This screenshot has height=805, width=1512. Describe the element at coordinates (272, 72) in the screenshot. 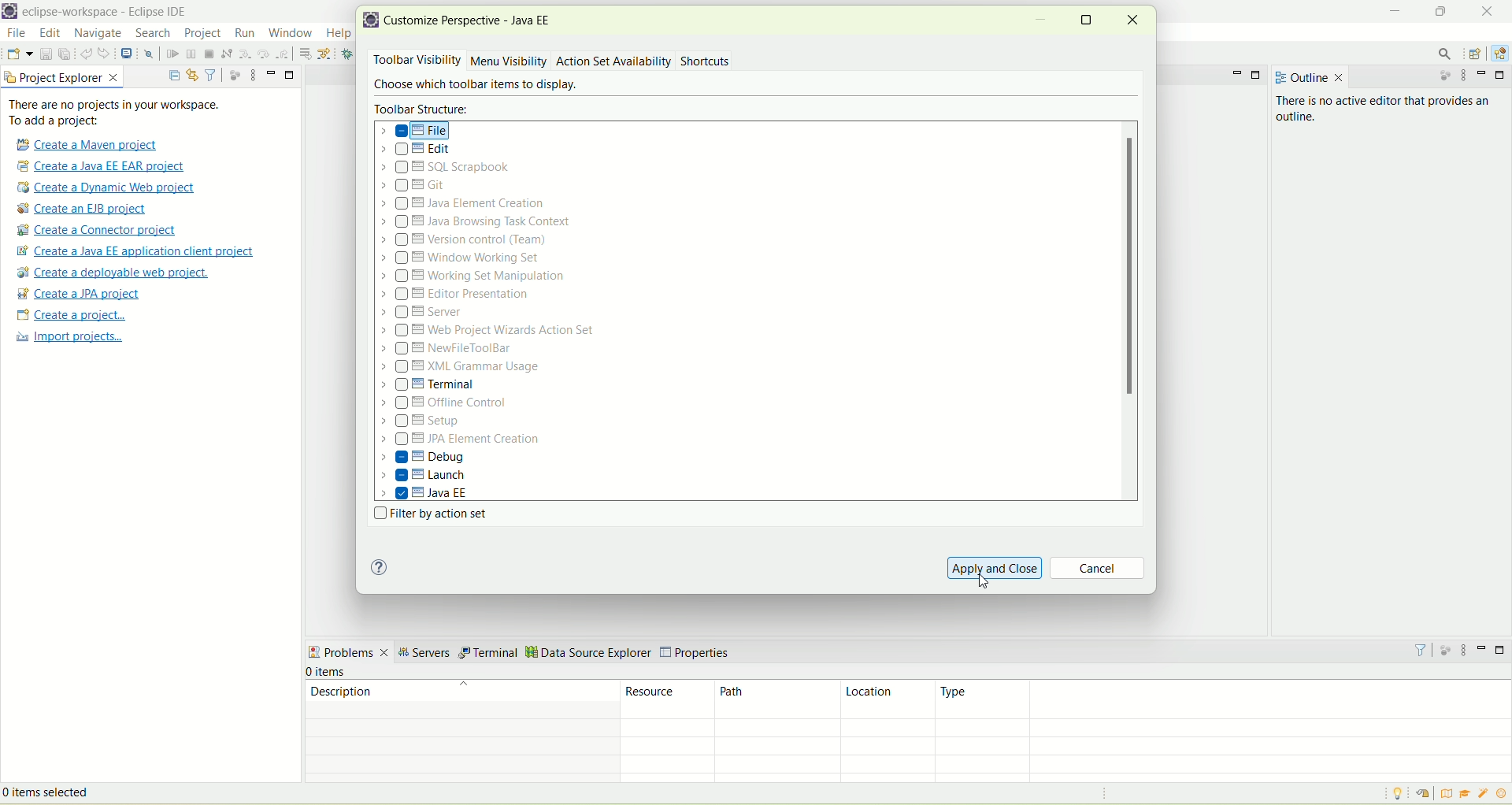

I see `minimize` at that location.